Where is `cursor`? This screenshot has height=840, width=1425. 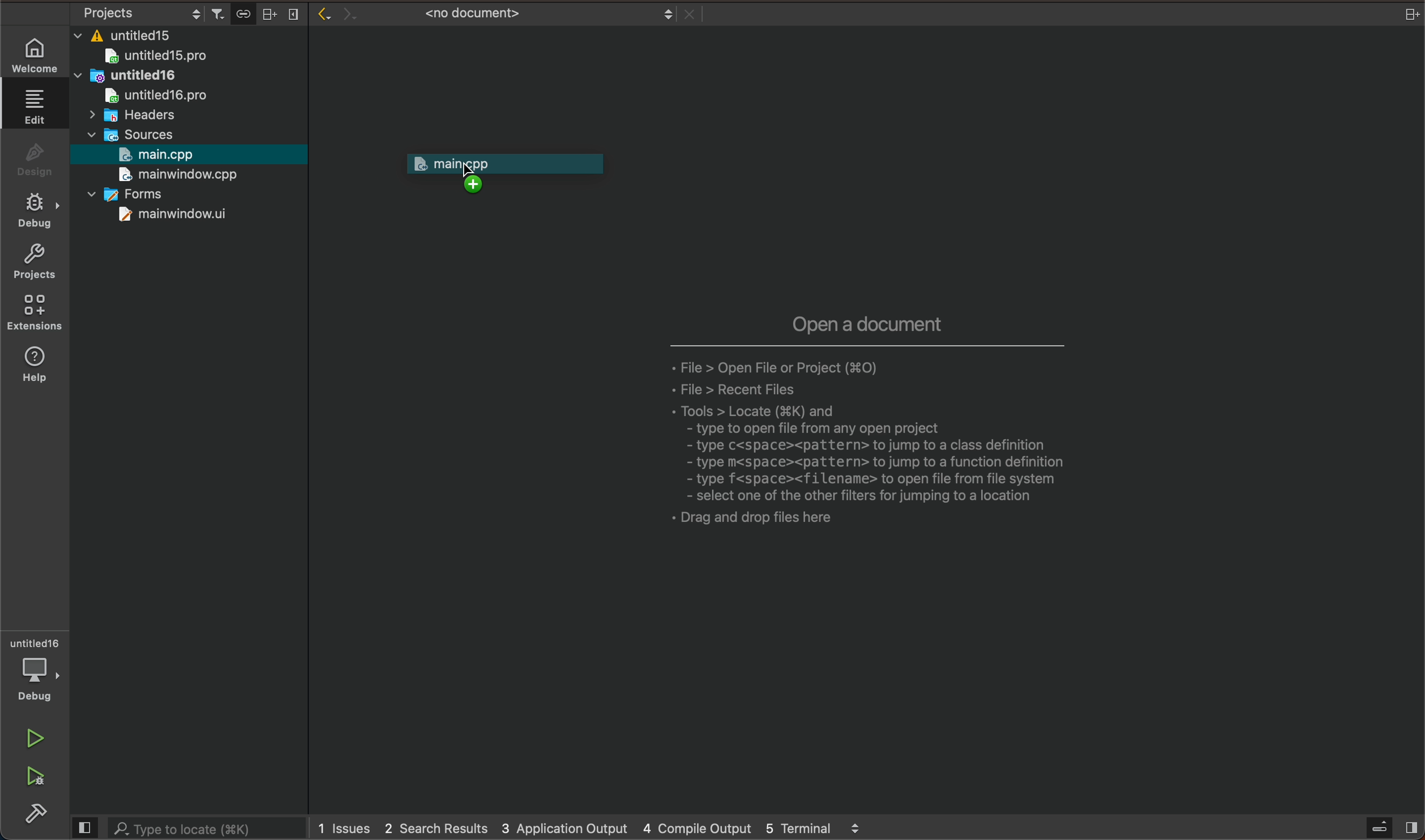
cursor is located at coordinates (480, 178).